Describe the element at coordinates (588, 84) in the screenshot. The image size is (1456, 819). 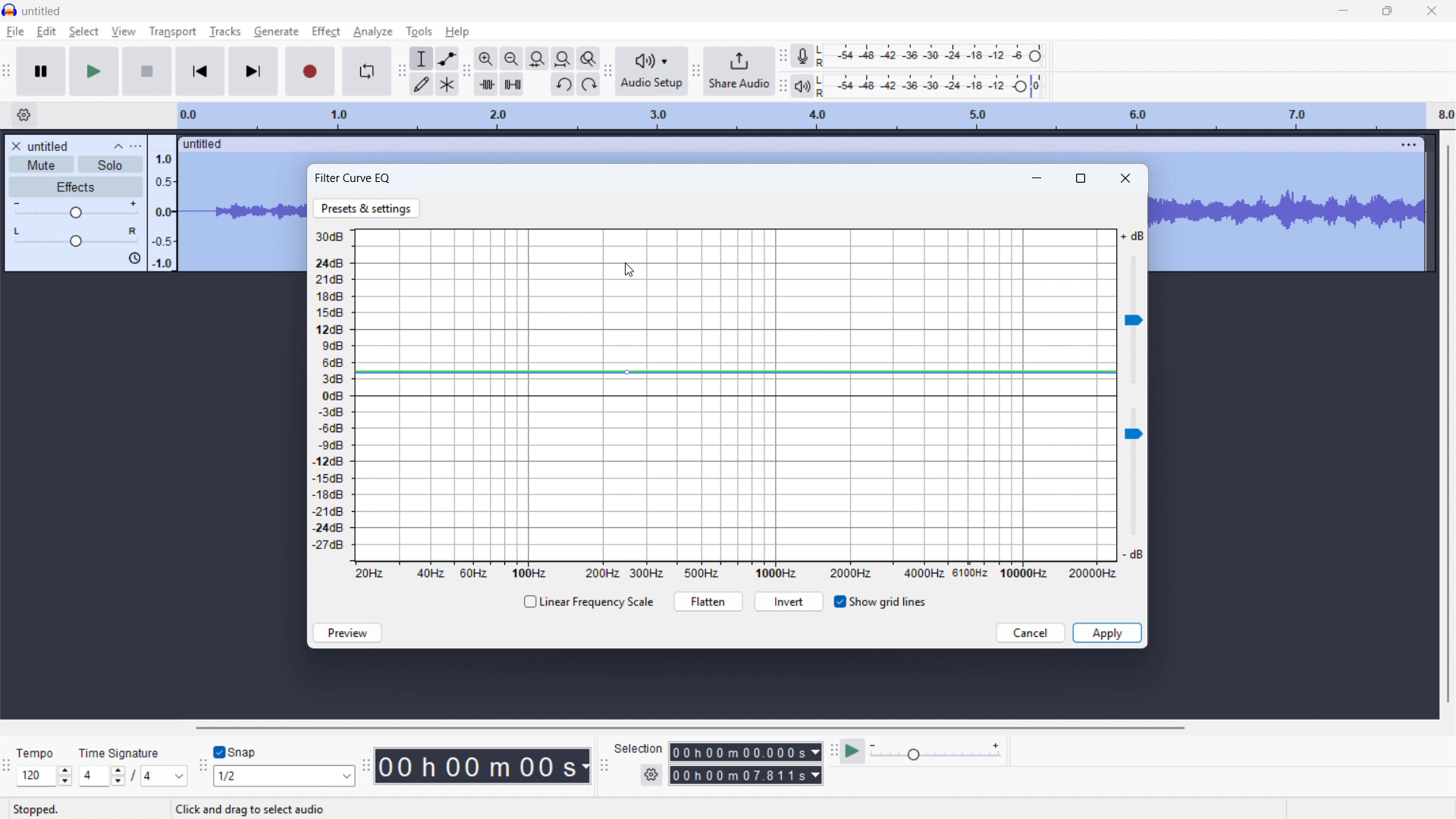
I see `Re-do ` at that location.